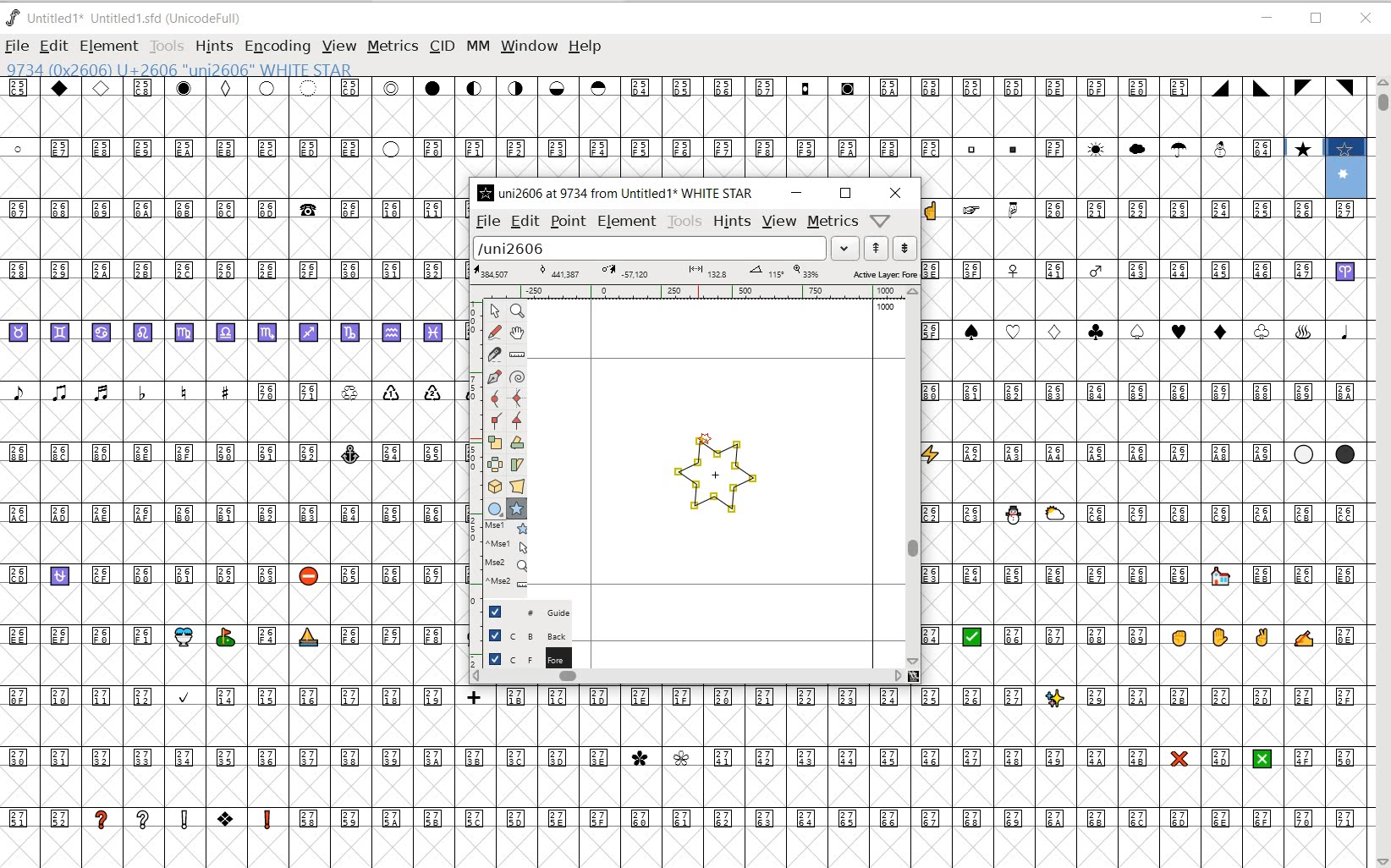  What do you see at coordinates (695, 272) in the screenshot?
I see `ACTIVE LAYER` at bounding box center [695, 272].